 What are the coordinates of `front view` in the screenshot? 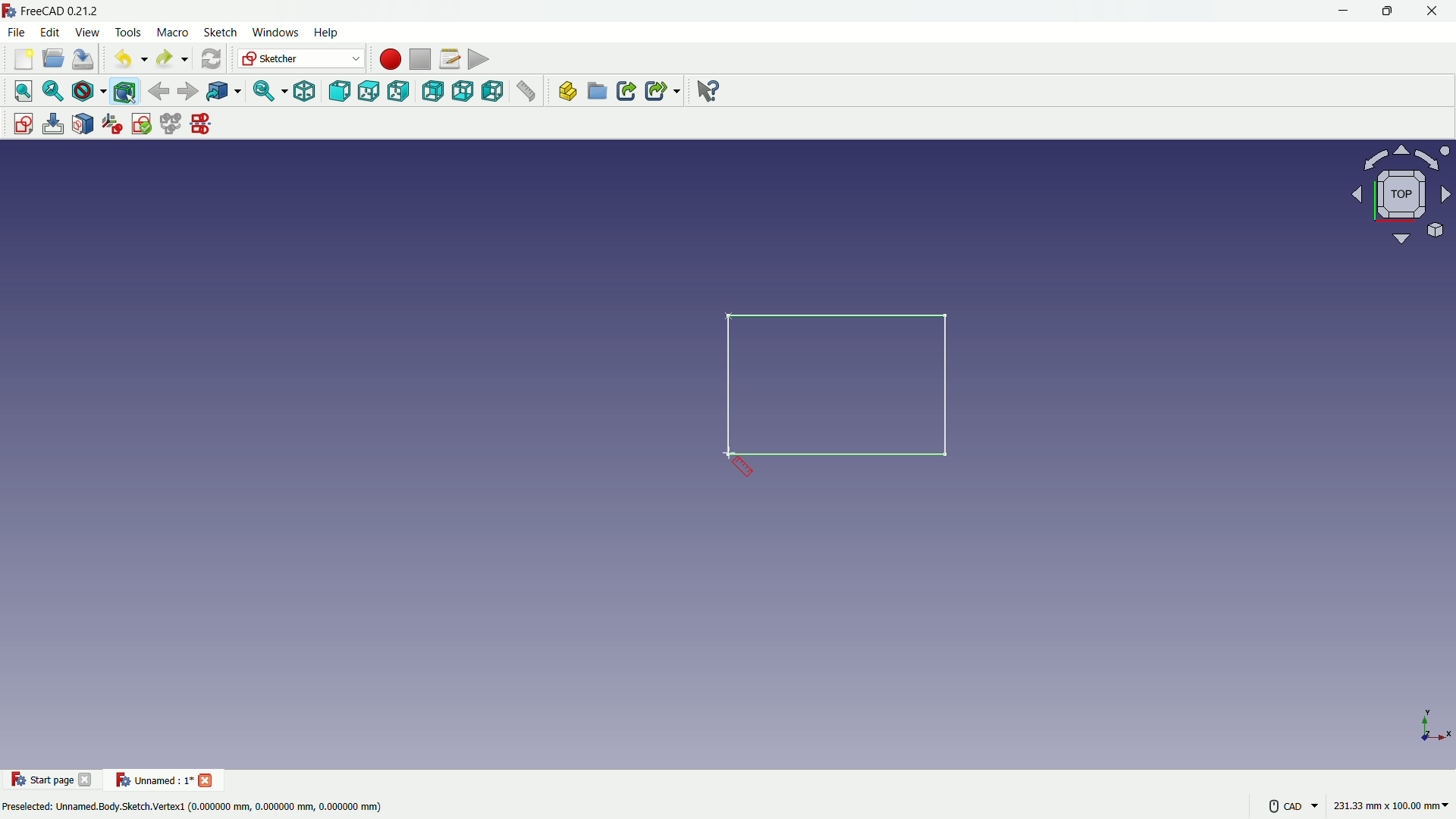 It's located at (338, 91).